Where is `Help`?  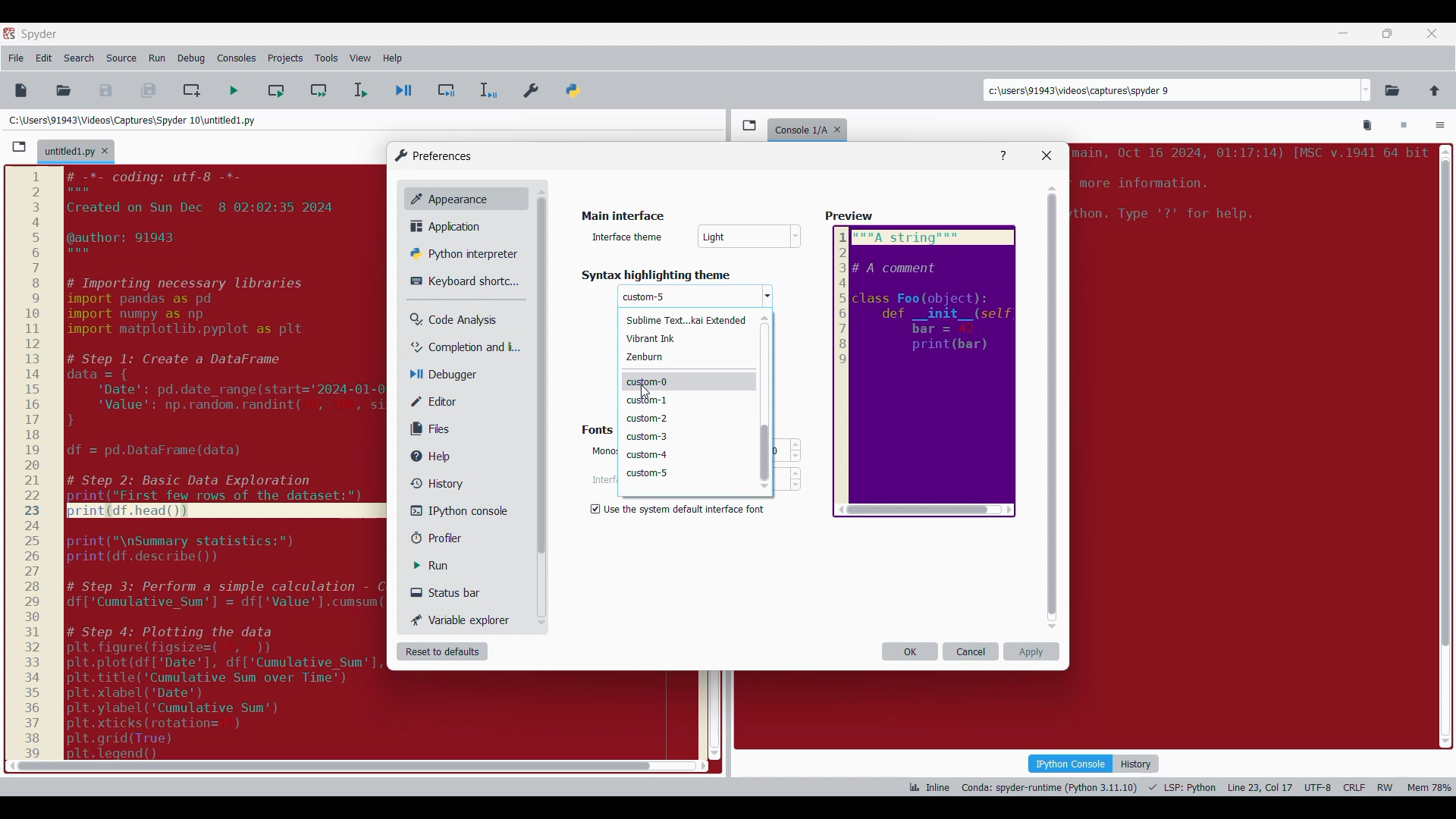
Help is located at coordinates (1003, 156).